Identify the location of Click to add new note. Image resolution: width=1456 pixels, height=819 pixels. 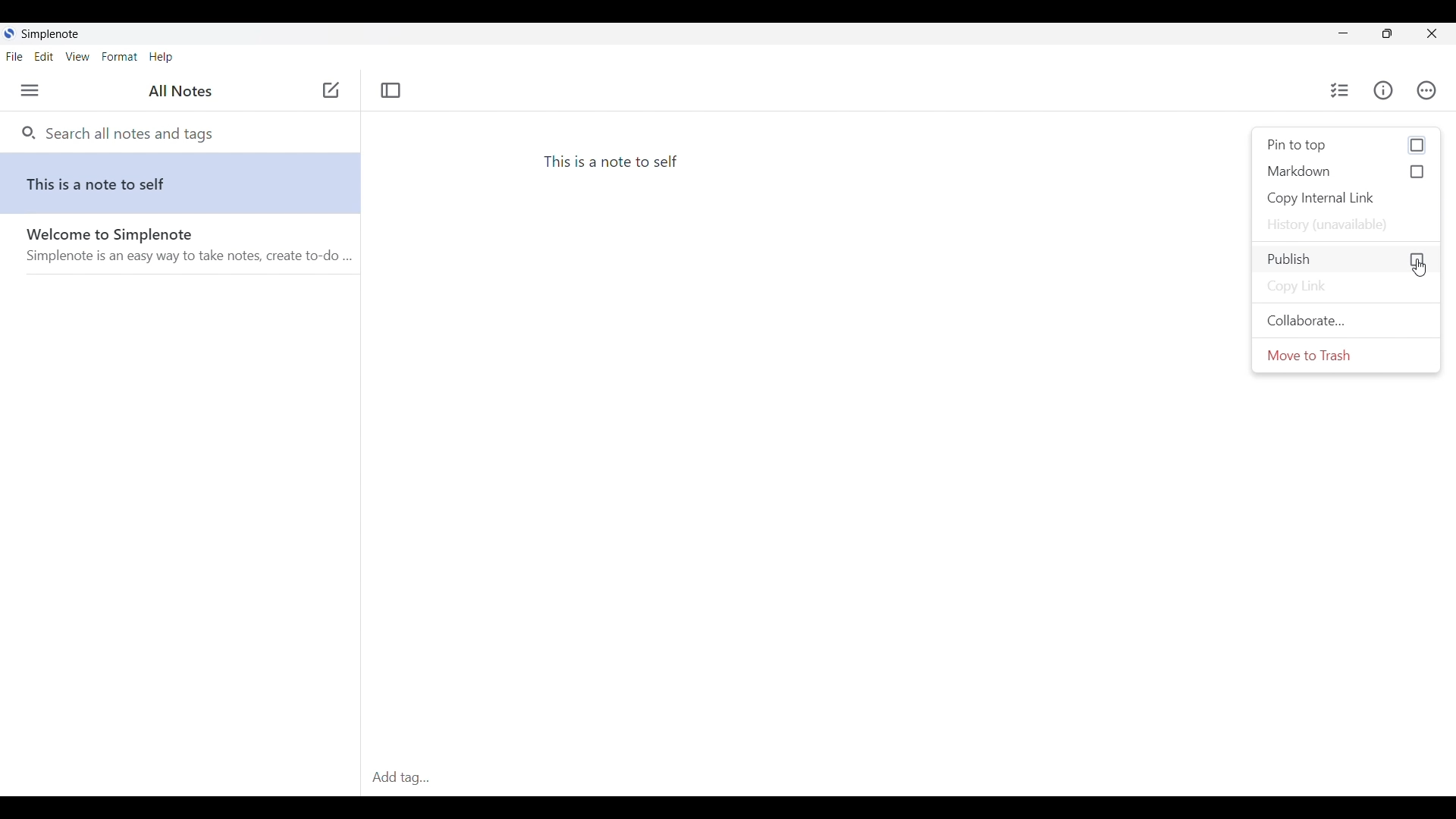
(331, 89).